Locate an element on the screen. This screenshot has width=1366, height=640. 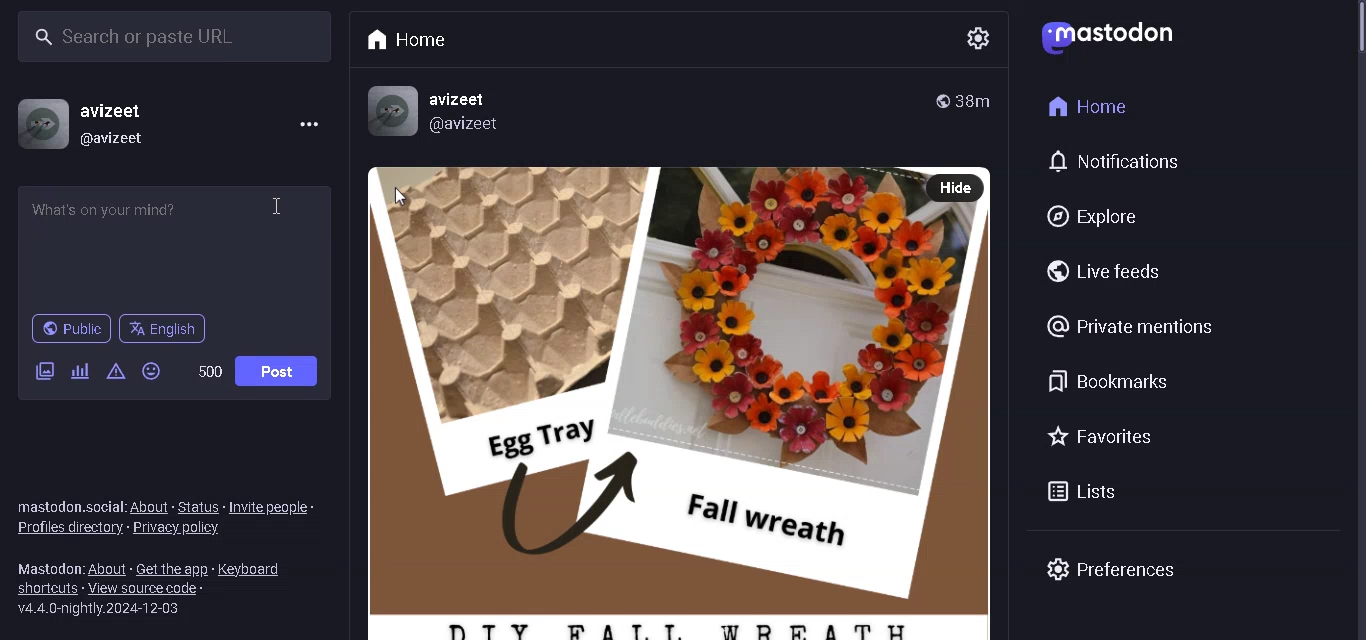
cursor position is located at coordinates (276, 206).